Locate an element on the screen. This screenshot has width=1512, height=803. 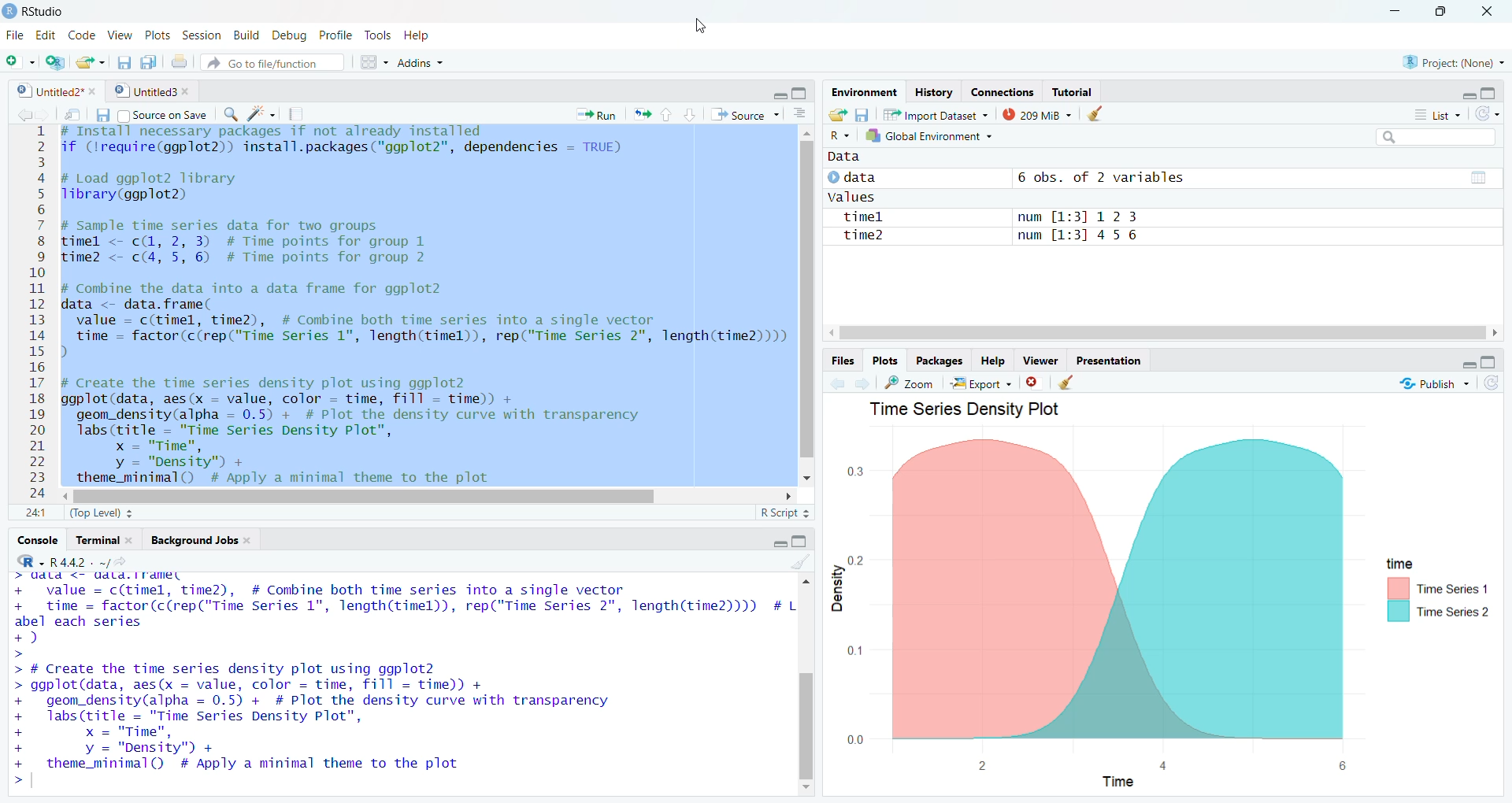
Show in new window is located at coordinates (72, 117).